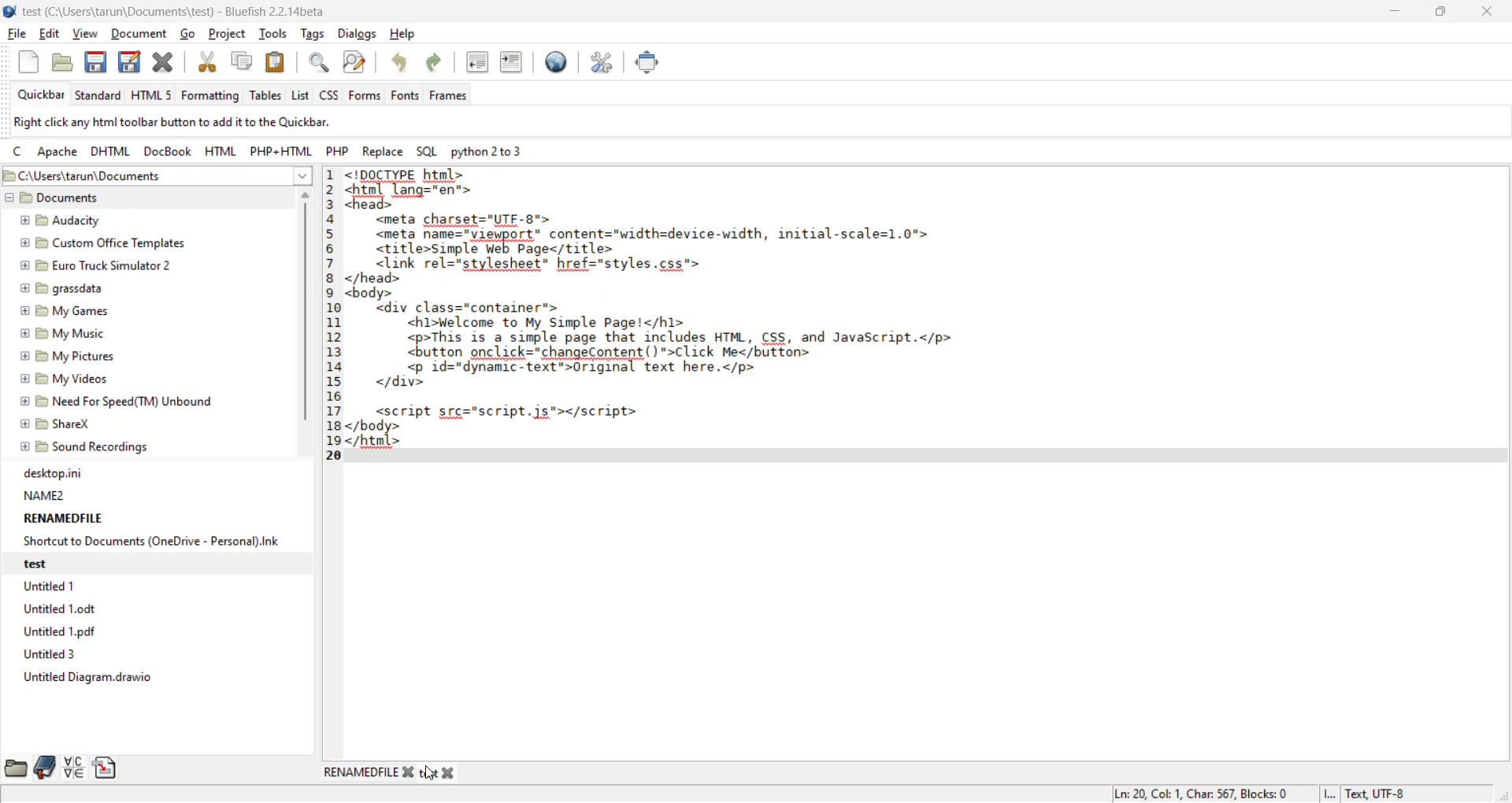 The width and height of the screenshot is (1512, 803). I want to click on html 5, so click(154, 95).